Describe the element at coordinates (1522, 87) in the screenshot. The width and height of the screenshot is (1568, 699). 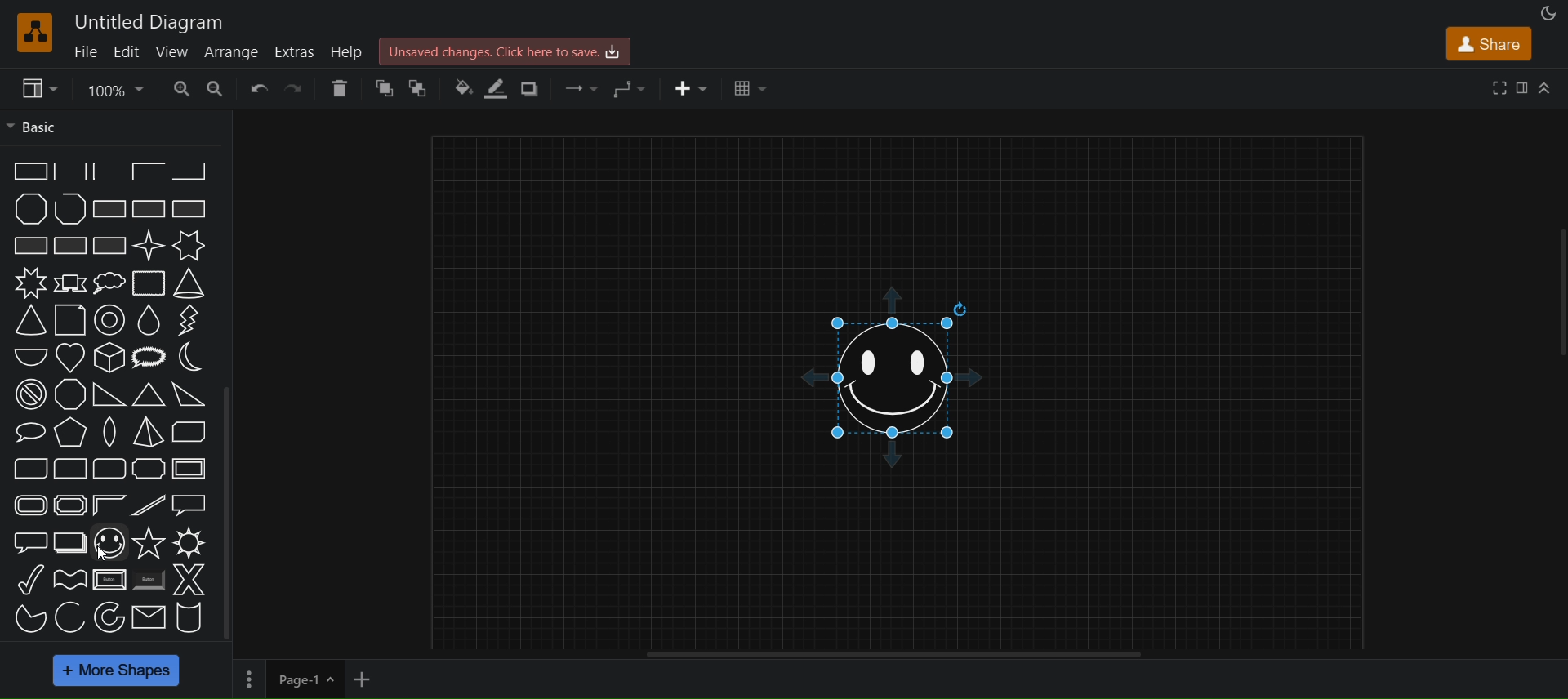
I see `format` at that location.